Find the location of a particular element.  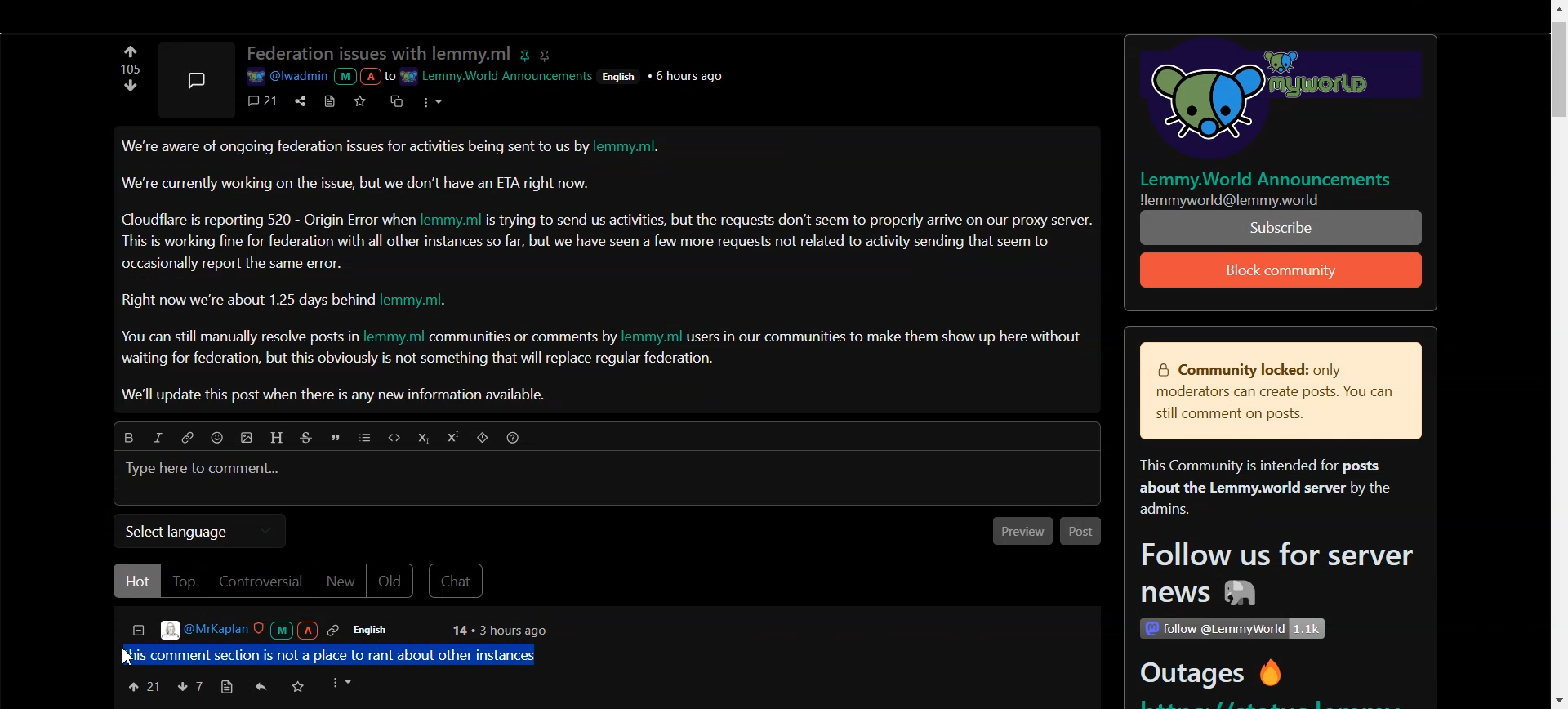

Subscribe is located at coordinates (1282, 270).